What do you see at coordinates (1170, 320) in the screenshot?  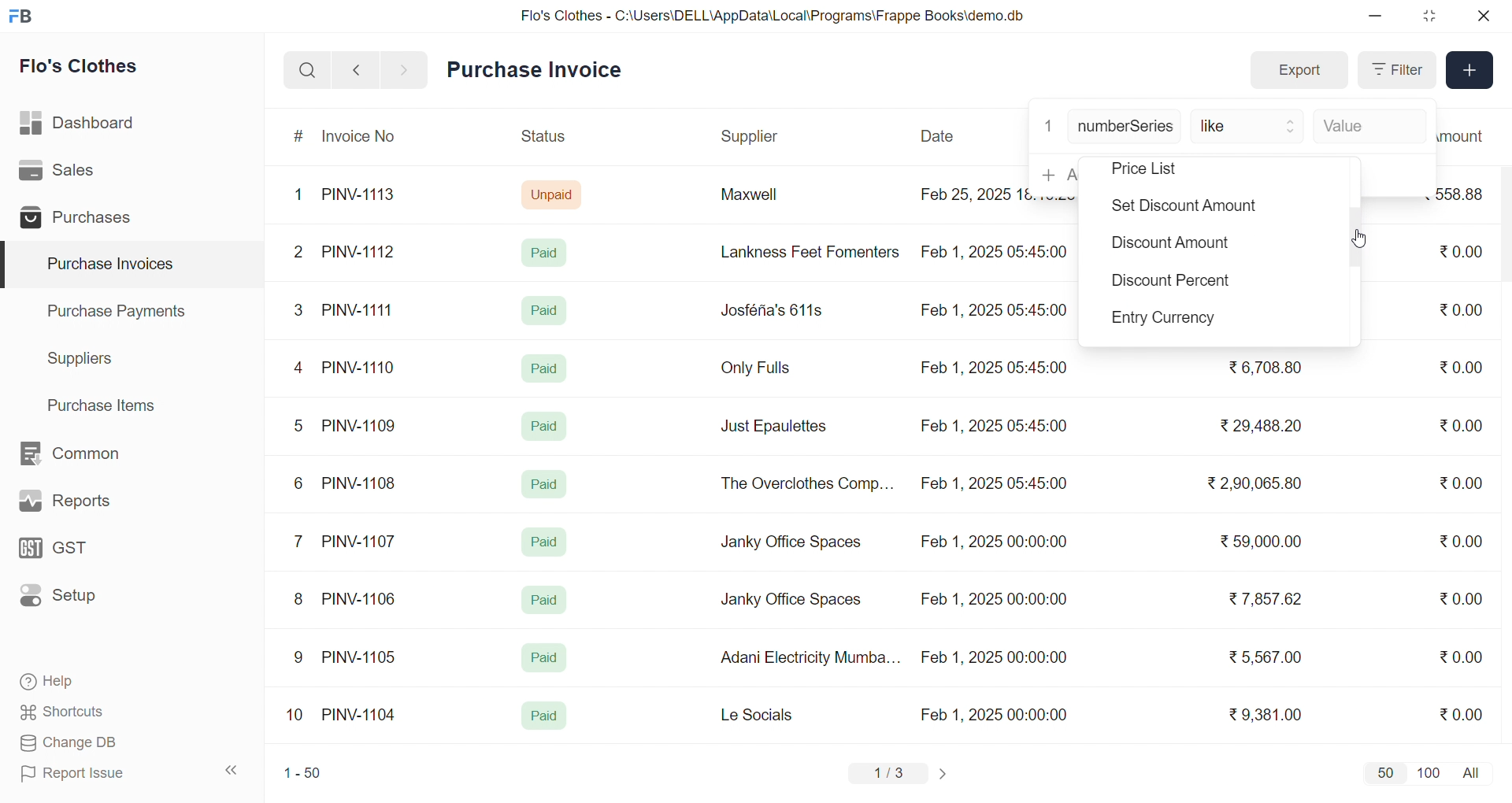 I see `Entry Currency` at bounding box center [1170, 320].